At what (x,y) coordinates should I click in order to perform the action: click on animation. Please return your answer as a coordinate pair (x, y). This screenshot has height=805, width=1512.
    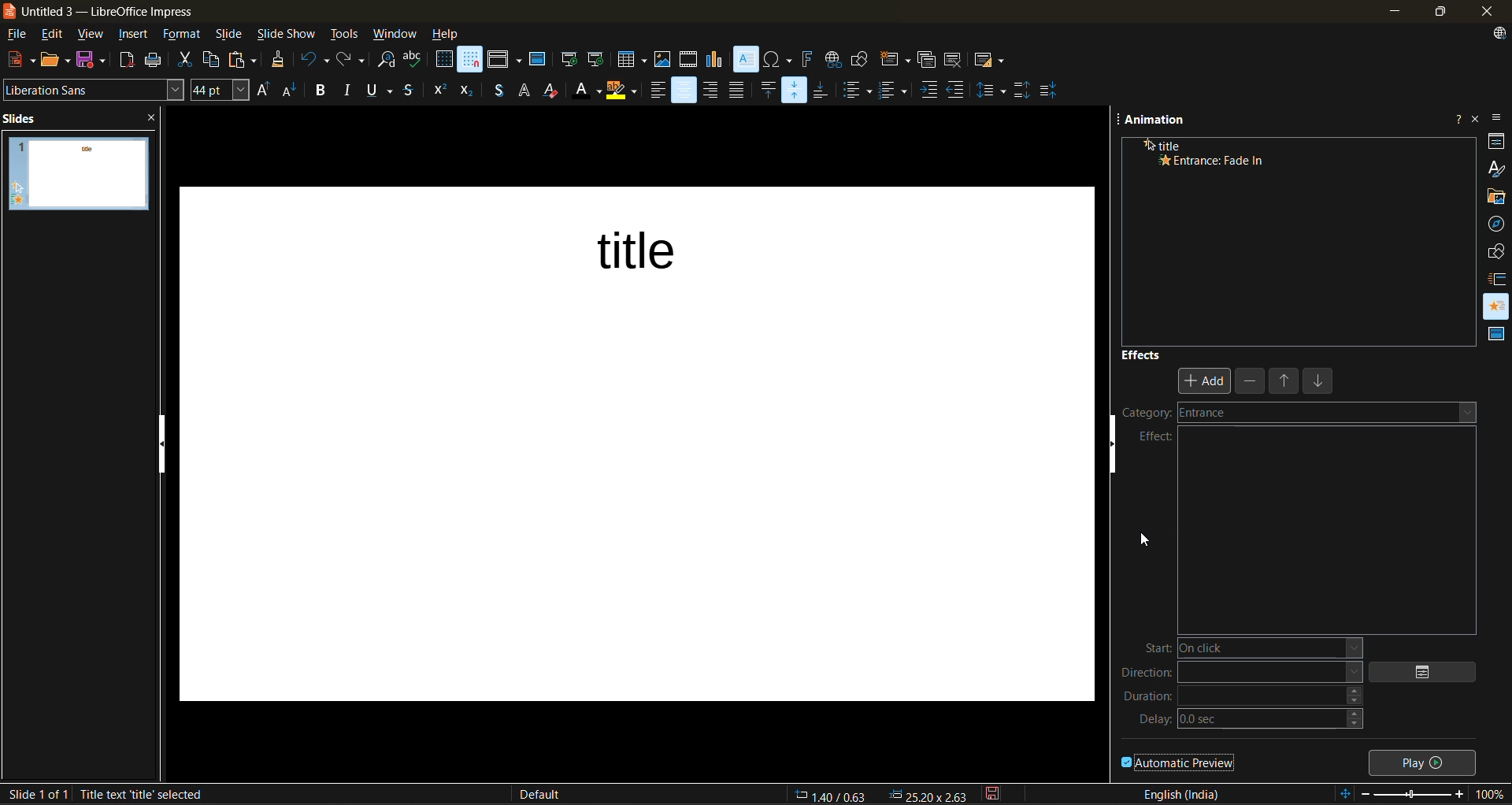
    Looking at the image, I should click on (1157, 122).